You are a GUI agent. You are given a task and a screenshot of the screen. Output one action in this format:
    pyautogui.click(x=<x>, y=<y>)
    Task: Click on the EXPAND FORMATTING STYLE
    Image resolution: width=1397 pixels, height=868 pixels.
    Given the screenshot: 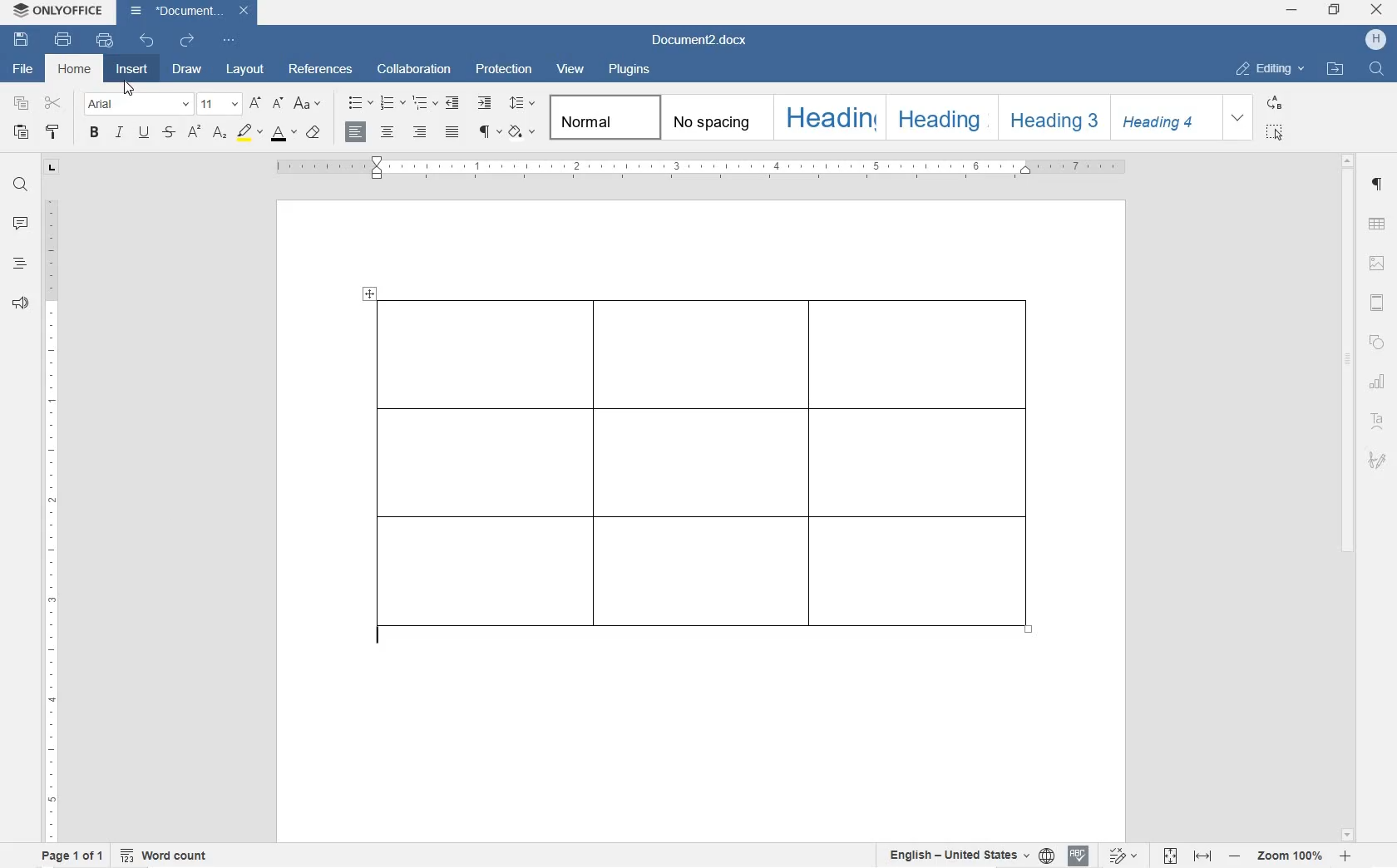 What is the action you would take?
    pyautogui.click(x=1238, y=118)
    